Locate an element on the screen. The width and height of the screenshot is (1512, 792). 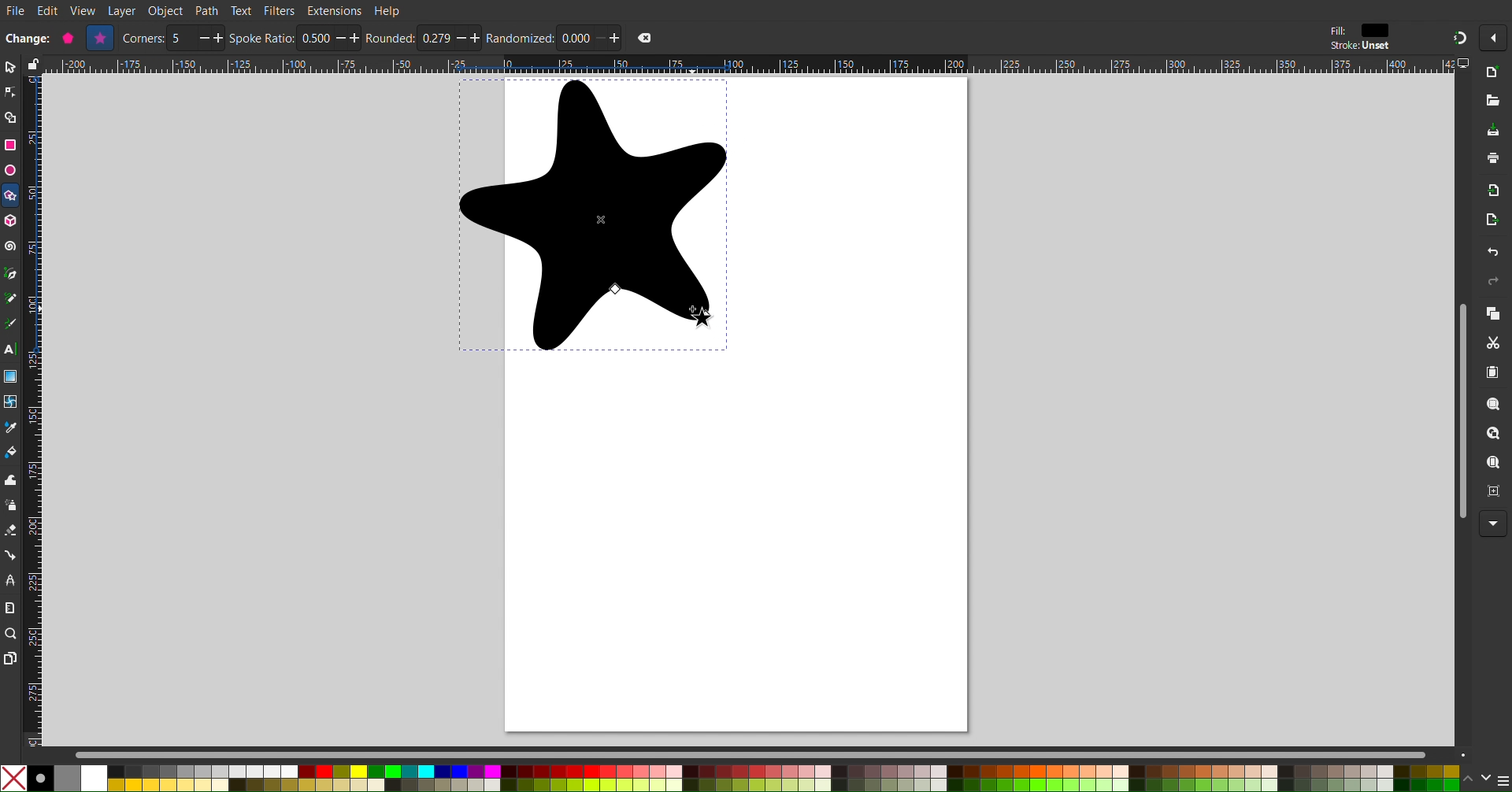
Horizontal Ruler is located at coordinates (748, 65).